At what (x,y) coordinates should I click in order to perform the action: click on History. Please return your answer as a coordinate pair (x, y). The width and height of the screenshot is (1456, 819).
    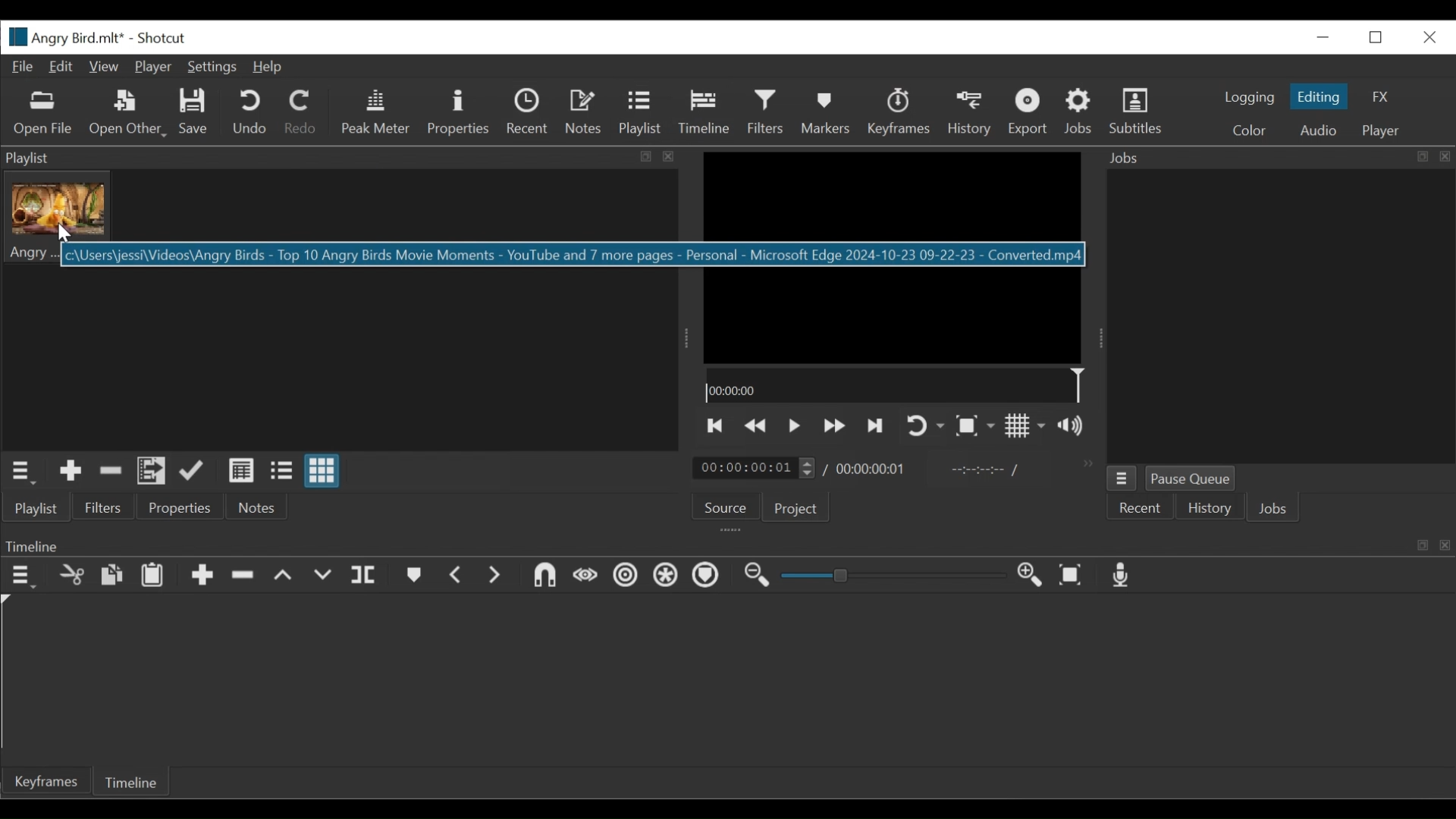
    Looking at the image, I should click on (1210, 508).